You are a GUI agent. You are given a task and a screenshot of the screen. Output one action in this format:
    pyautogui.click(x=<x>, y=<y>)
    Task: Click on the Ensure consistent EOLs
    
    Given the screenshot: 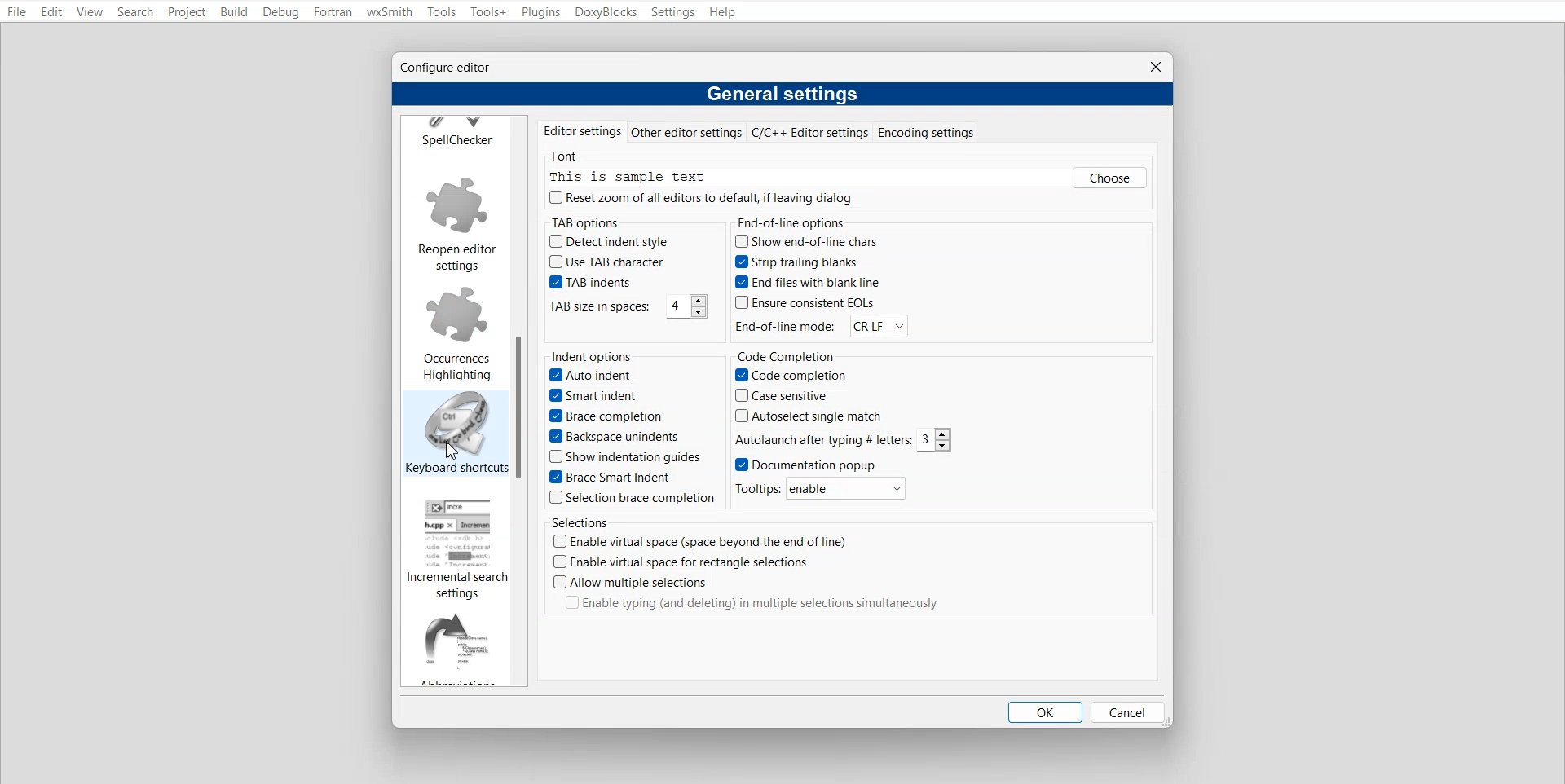 What is the action you would take?
    pyautogui.click(x=803, y=304)
    